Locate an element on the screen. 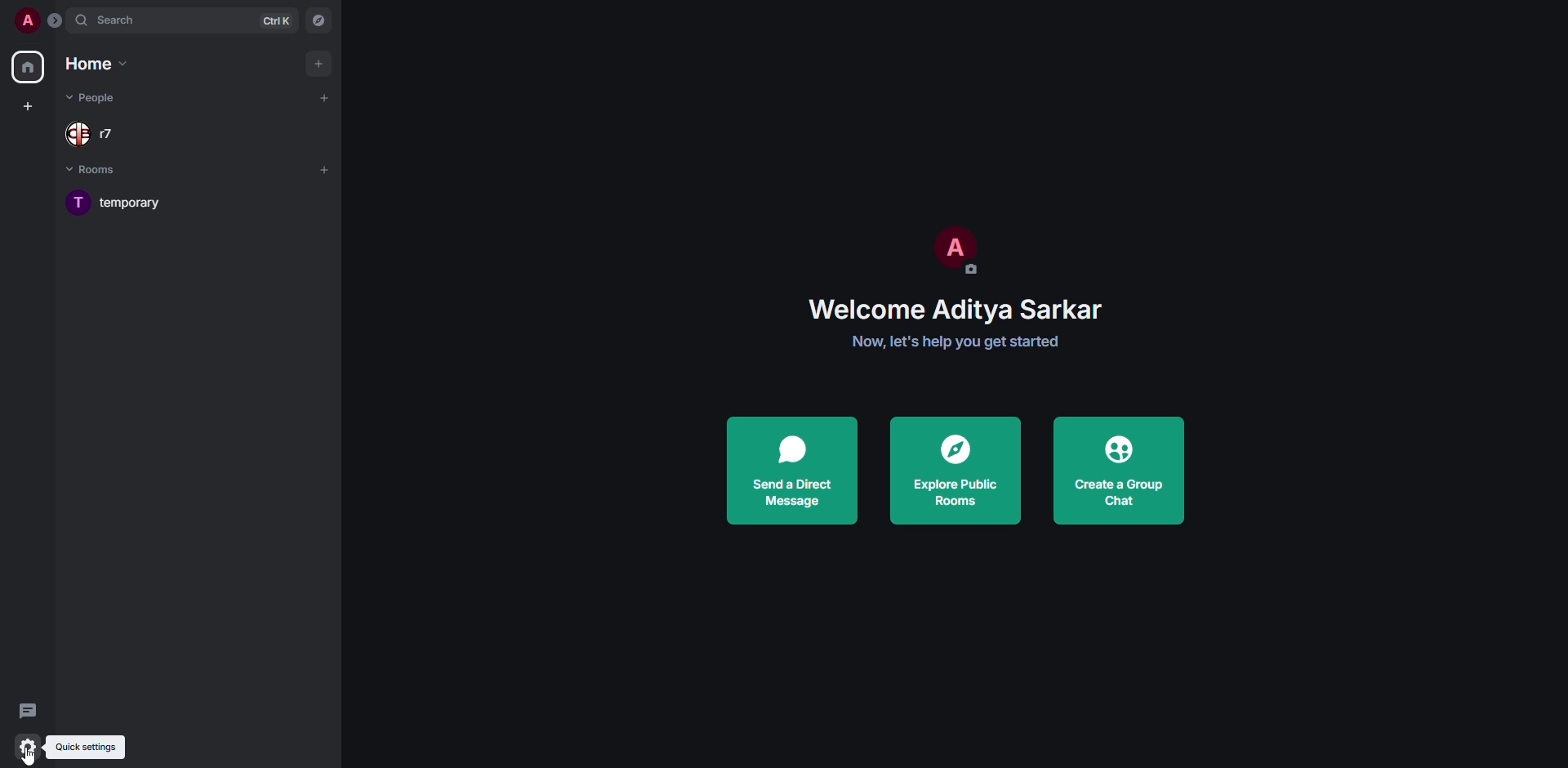 The image size is (1568, 768). welcome is located at coordinates (959, 307).